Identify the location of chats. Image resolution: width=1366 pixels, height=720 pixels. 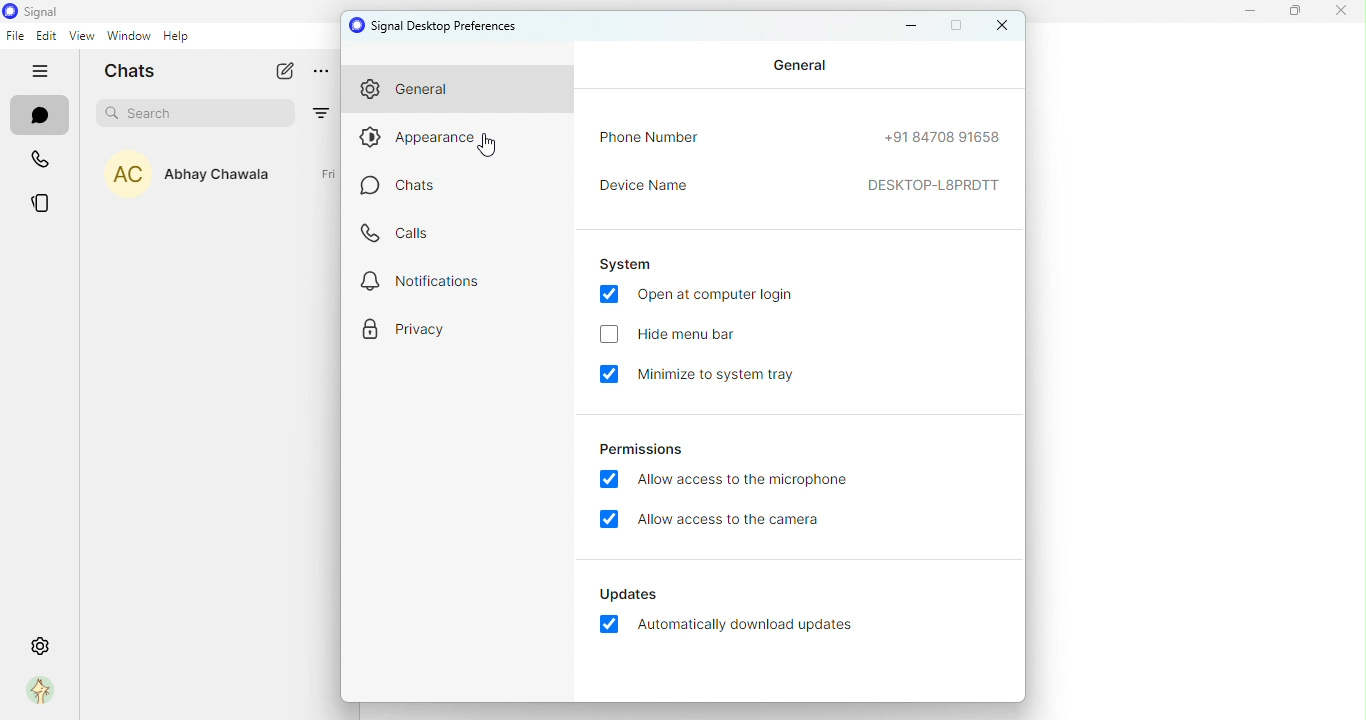
(138, 74).